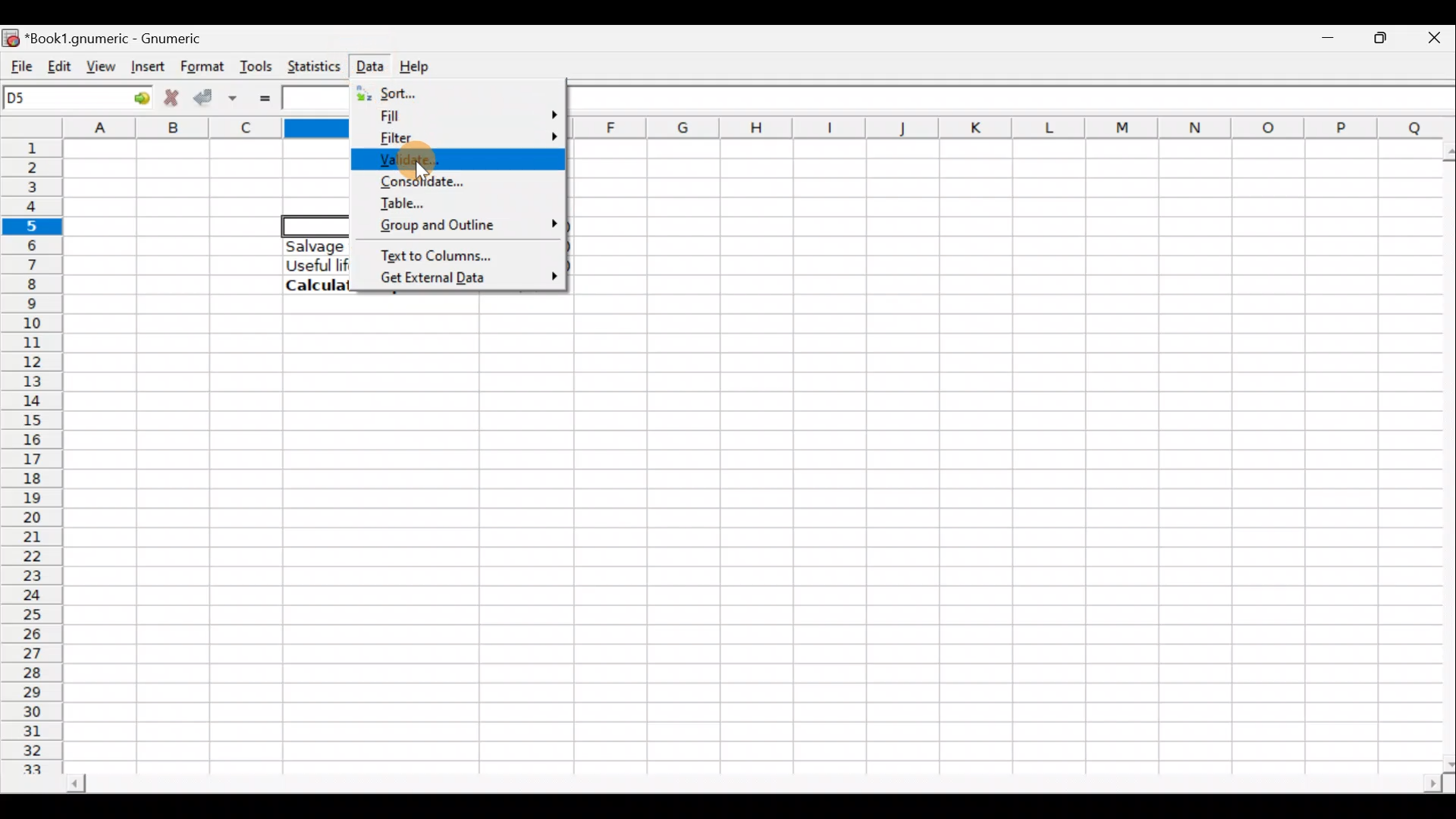  I want to click on Scroll bar, so click(752, 786).